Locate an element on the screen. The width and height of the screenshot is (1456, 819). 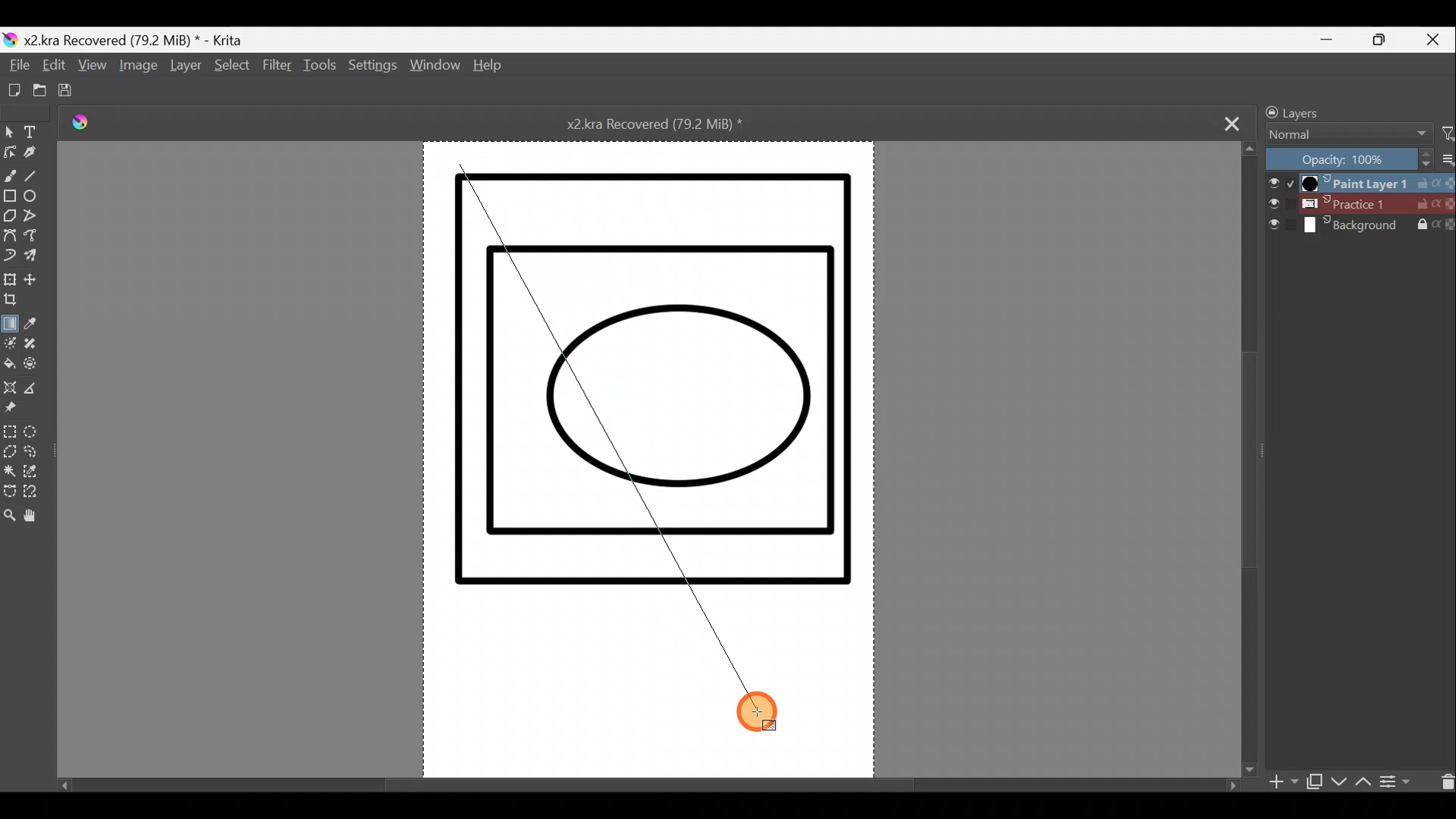
Scroll bar is located at coordinates (1250, 457).